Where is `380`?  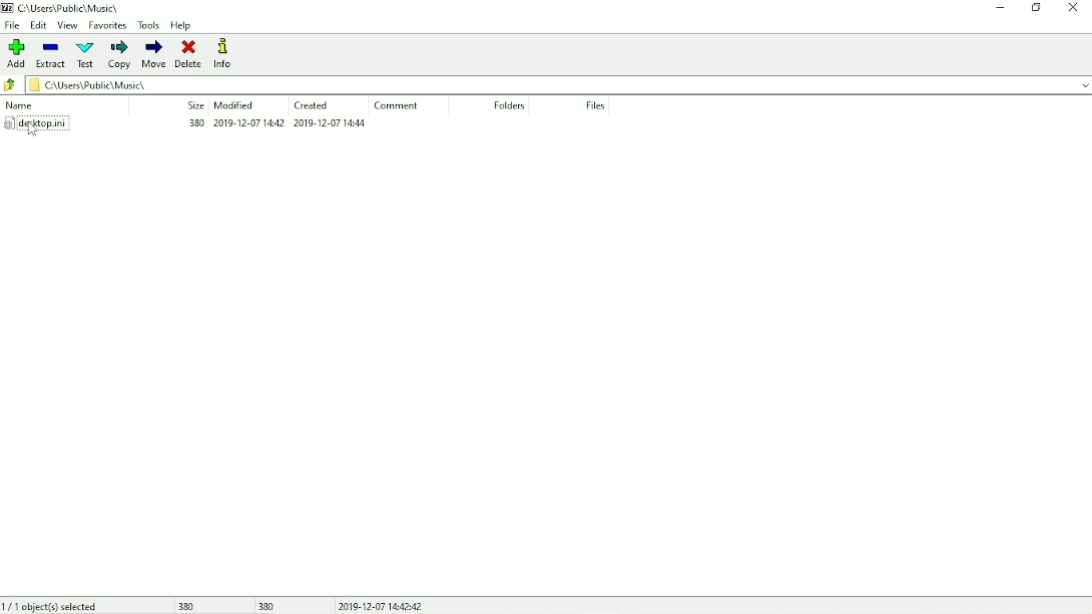
380 is located at coordinates (184, 606).